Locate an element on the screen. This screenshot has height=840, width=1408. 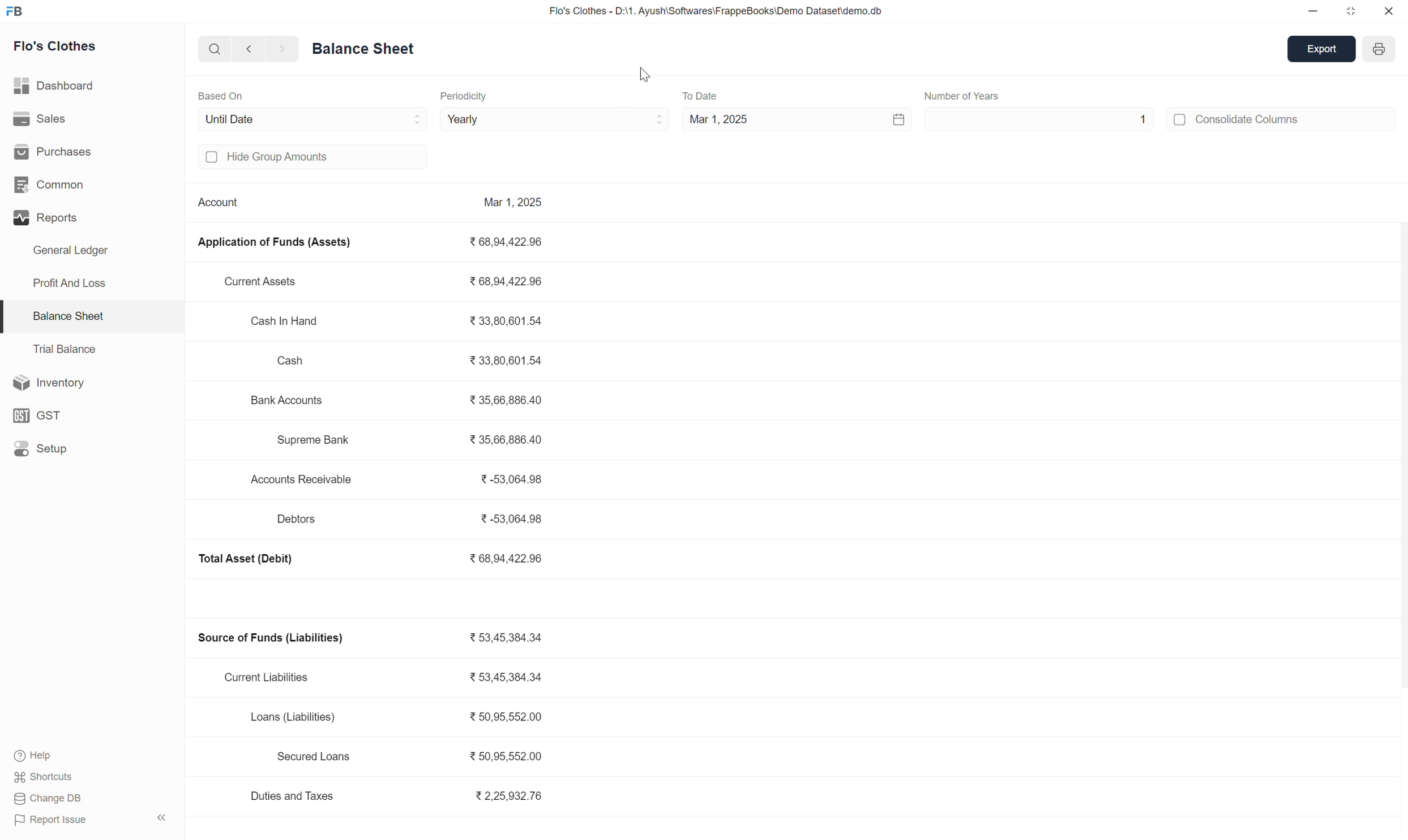
year is located at coordinates (1382, 50).